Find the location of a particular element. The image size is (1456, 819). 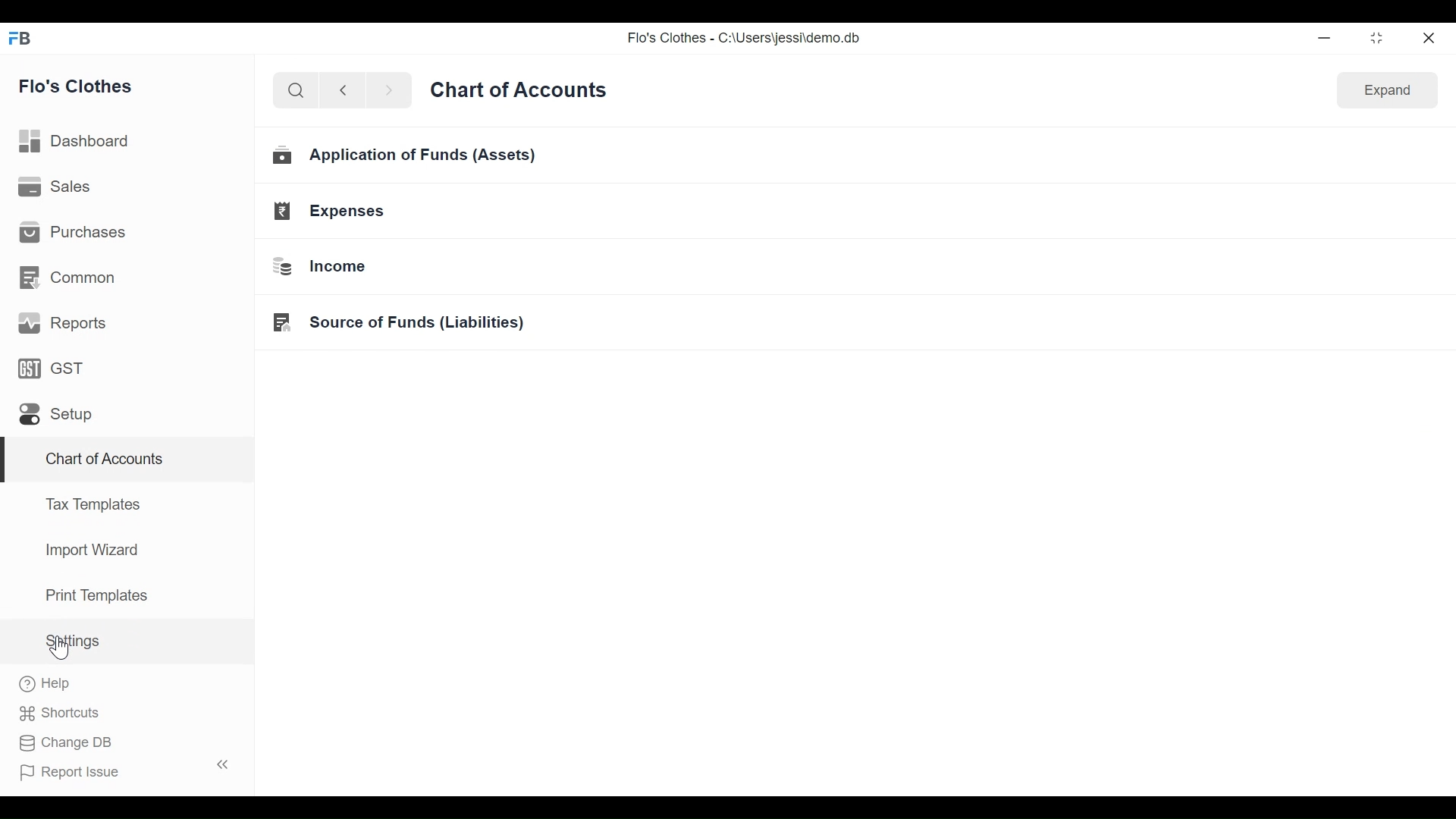

Print Templates is located at coordinates (96, 595).